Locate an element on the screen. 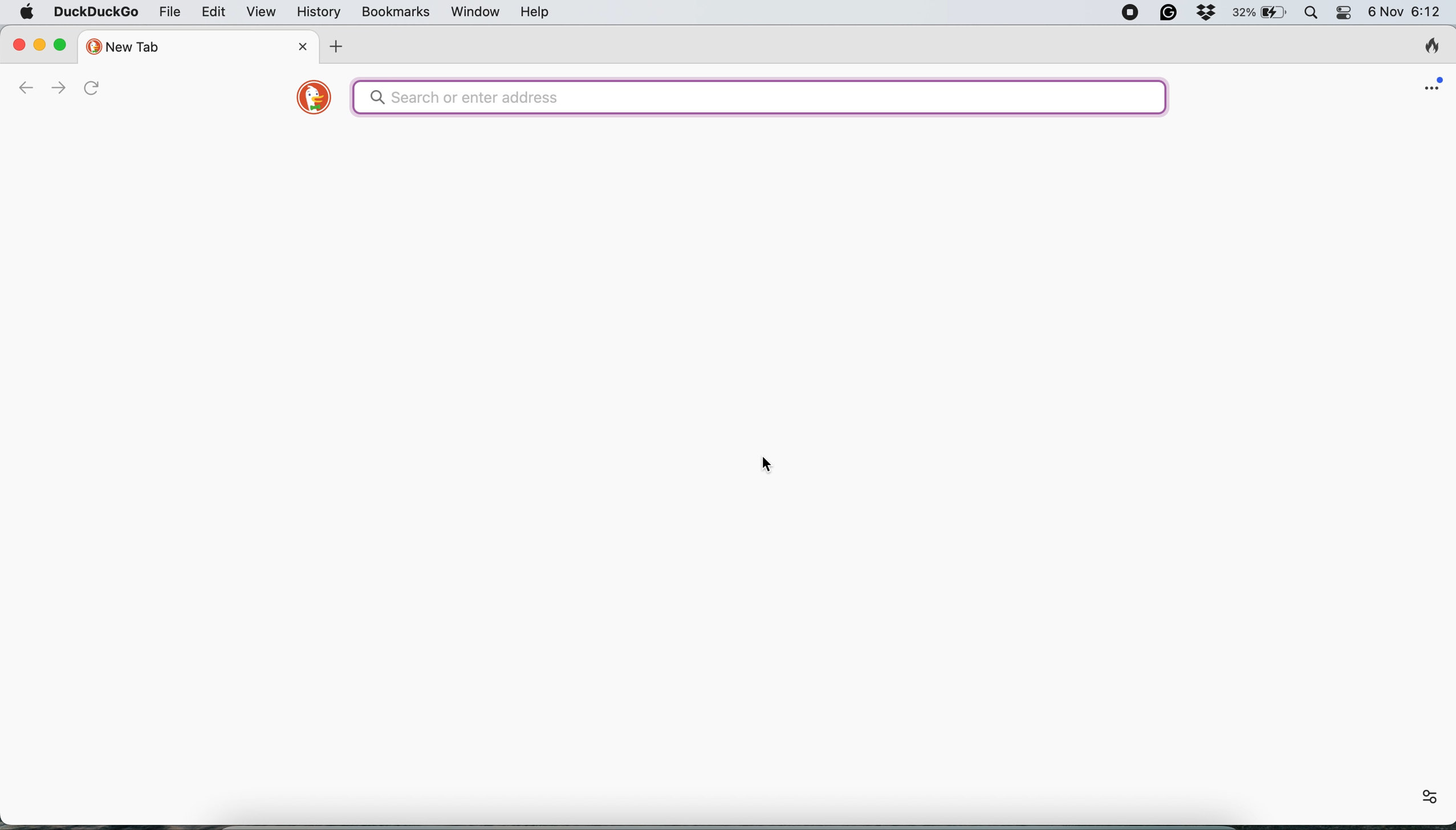 Image resolution: width=1456 pixels, height=830 pixels. window is located at coordinates (477, 13).